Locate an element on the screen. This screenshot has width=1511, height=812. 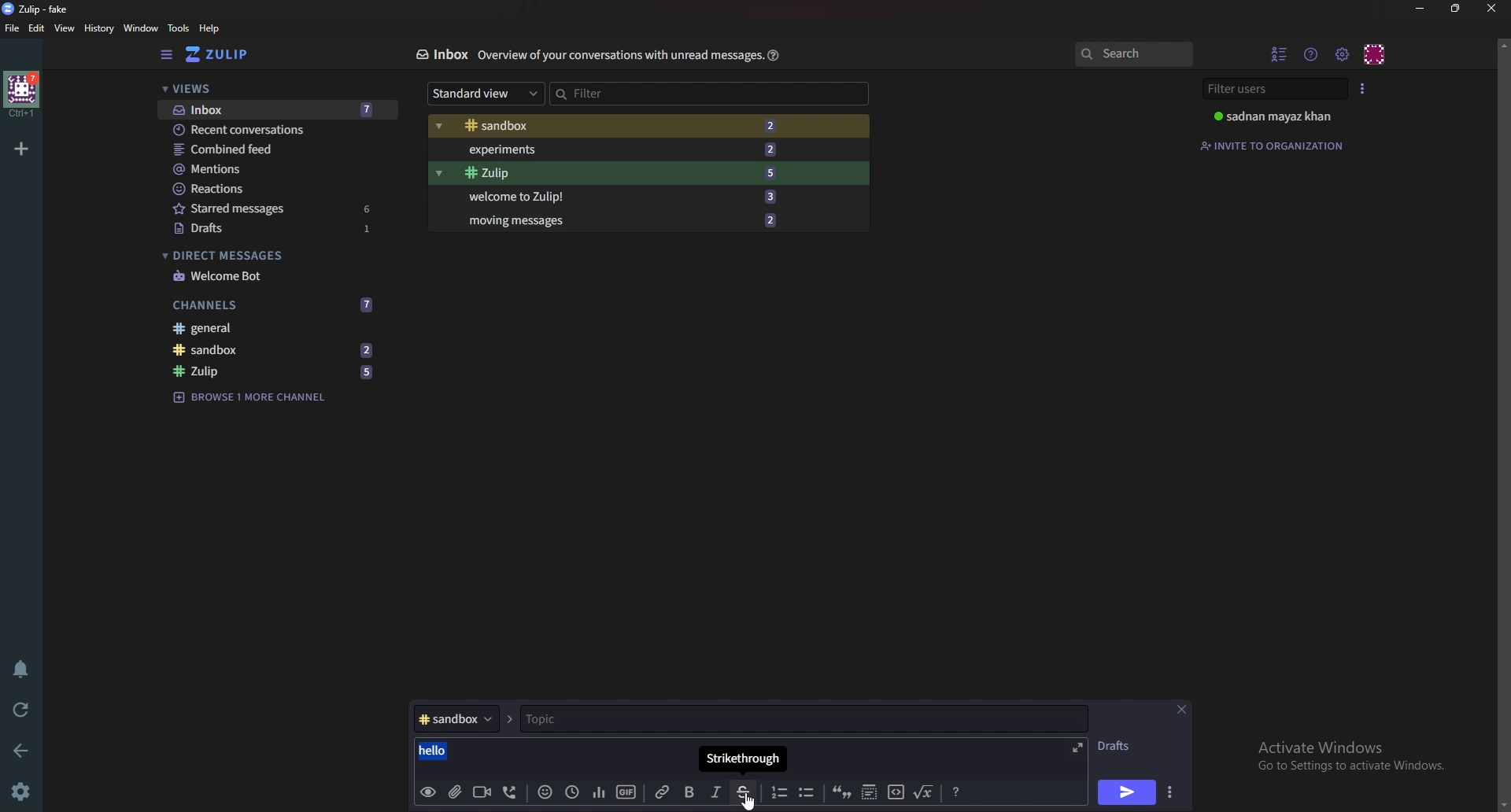
add file is located at coordinates (454, 793).